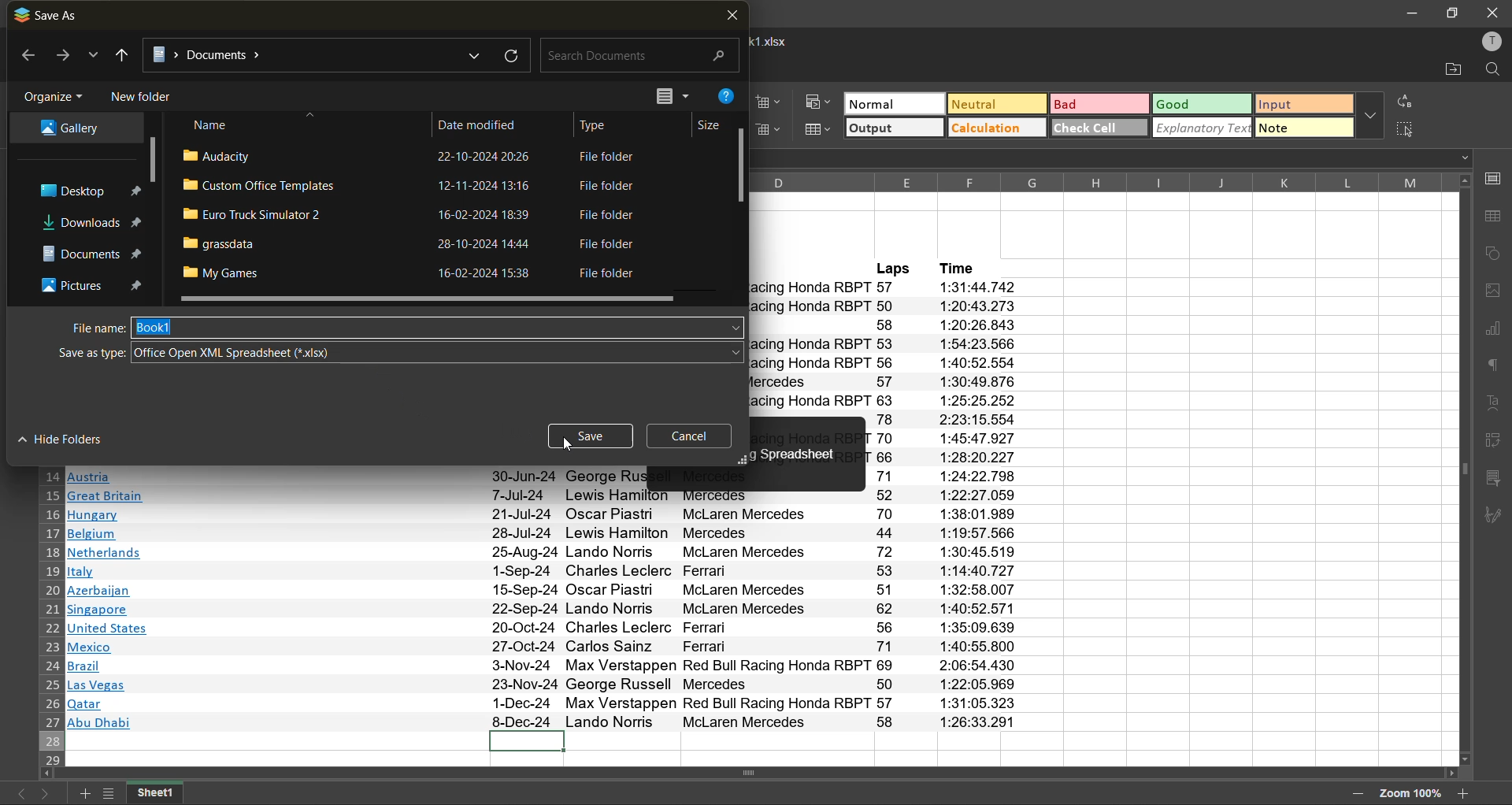 The height and width of the screenshot is (805, 1512). I want to click on normal, so click(894, 103).